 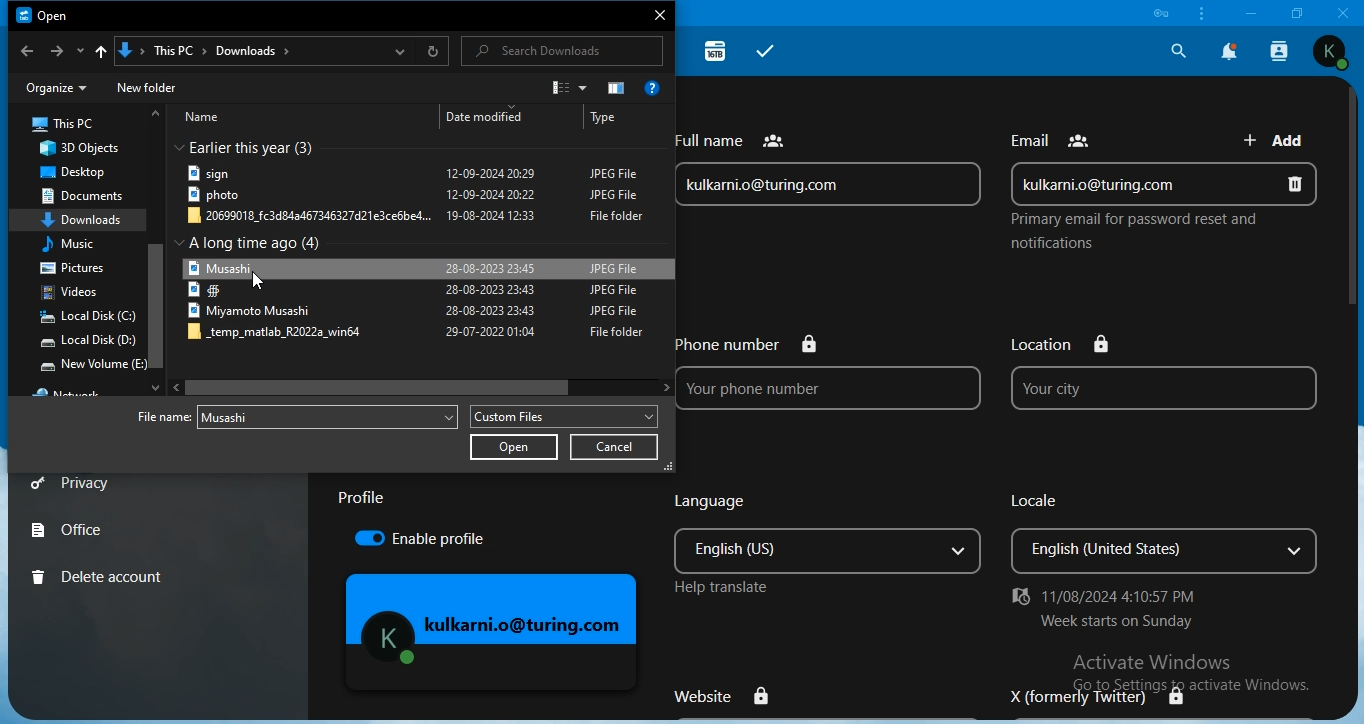 I want to click on view profile, so click(x=1331, y=52).